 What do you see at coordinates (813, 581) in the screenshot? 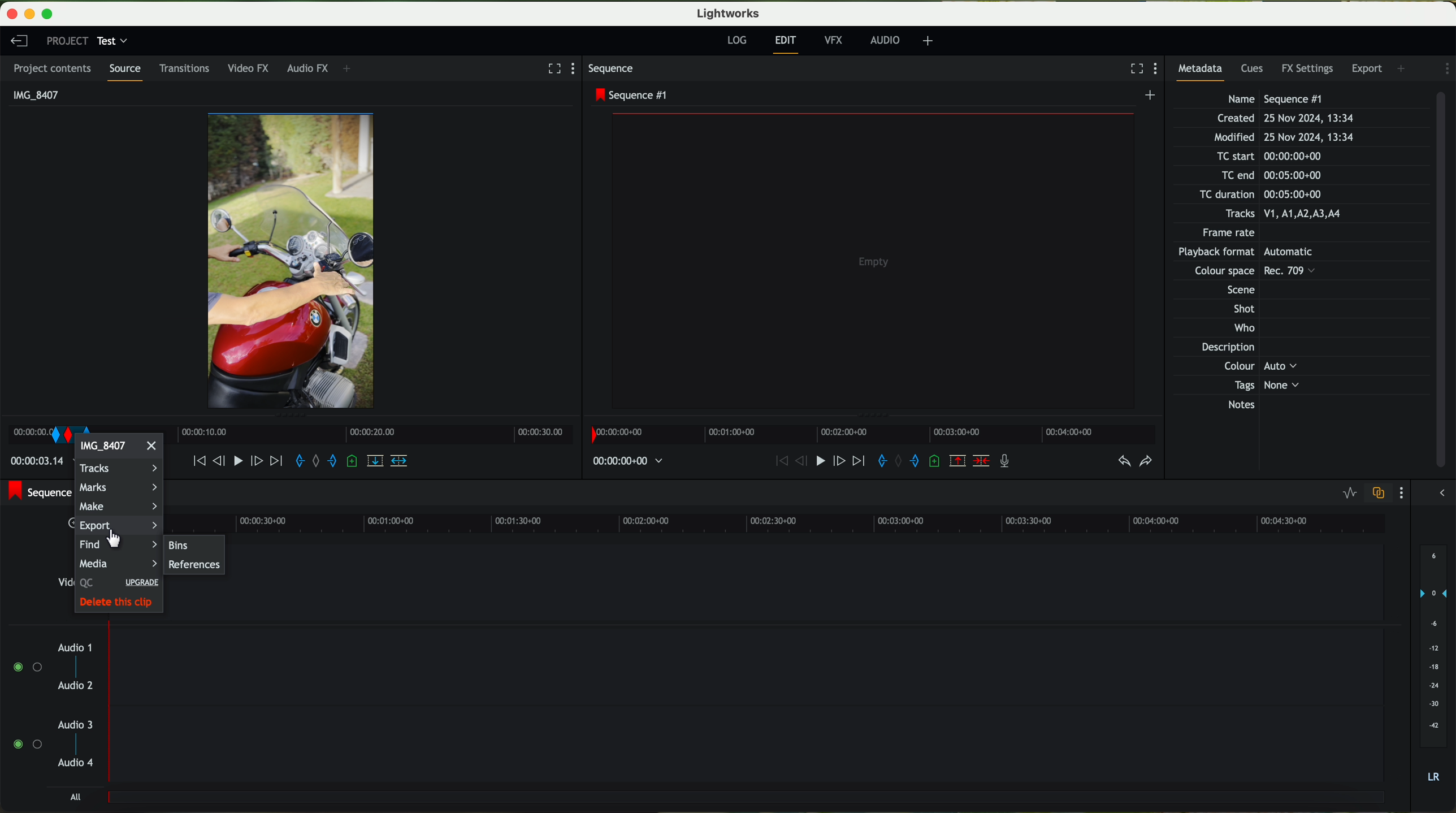
I see `video 1` at bounding box center [813, 581].